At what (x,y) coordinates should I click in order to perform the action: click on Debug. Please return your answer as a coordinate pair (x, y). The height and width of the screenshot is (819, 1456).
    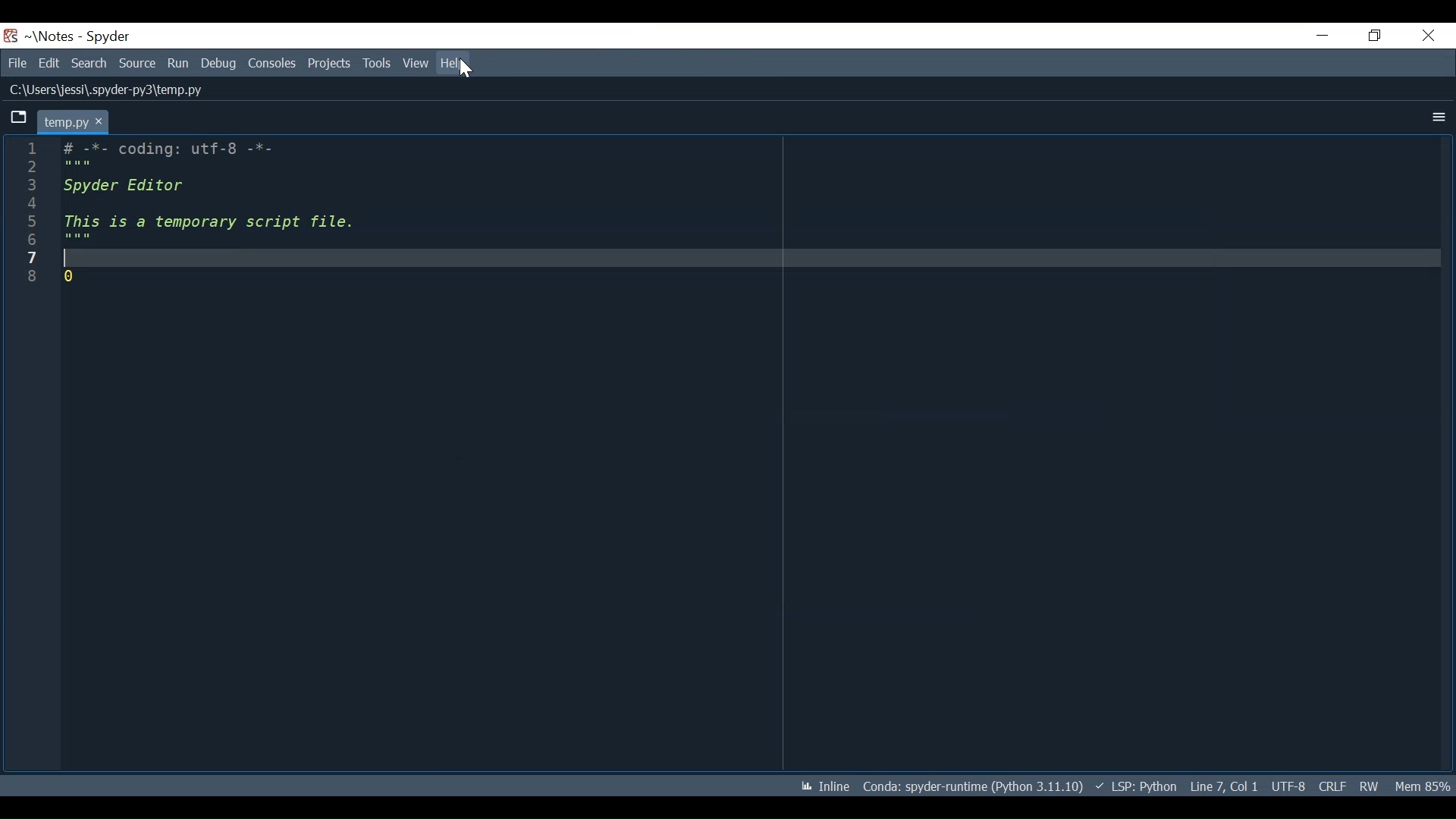
    Looking at the image, I should click on (220, 63).